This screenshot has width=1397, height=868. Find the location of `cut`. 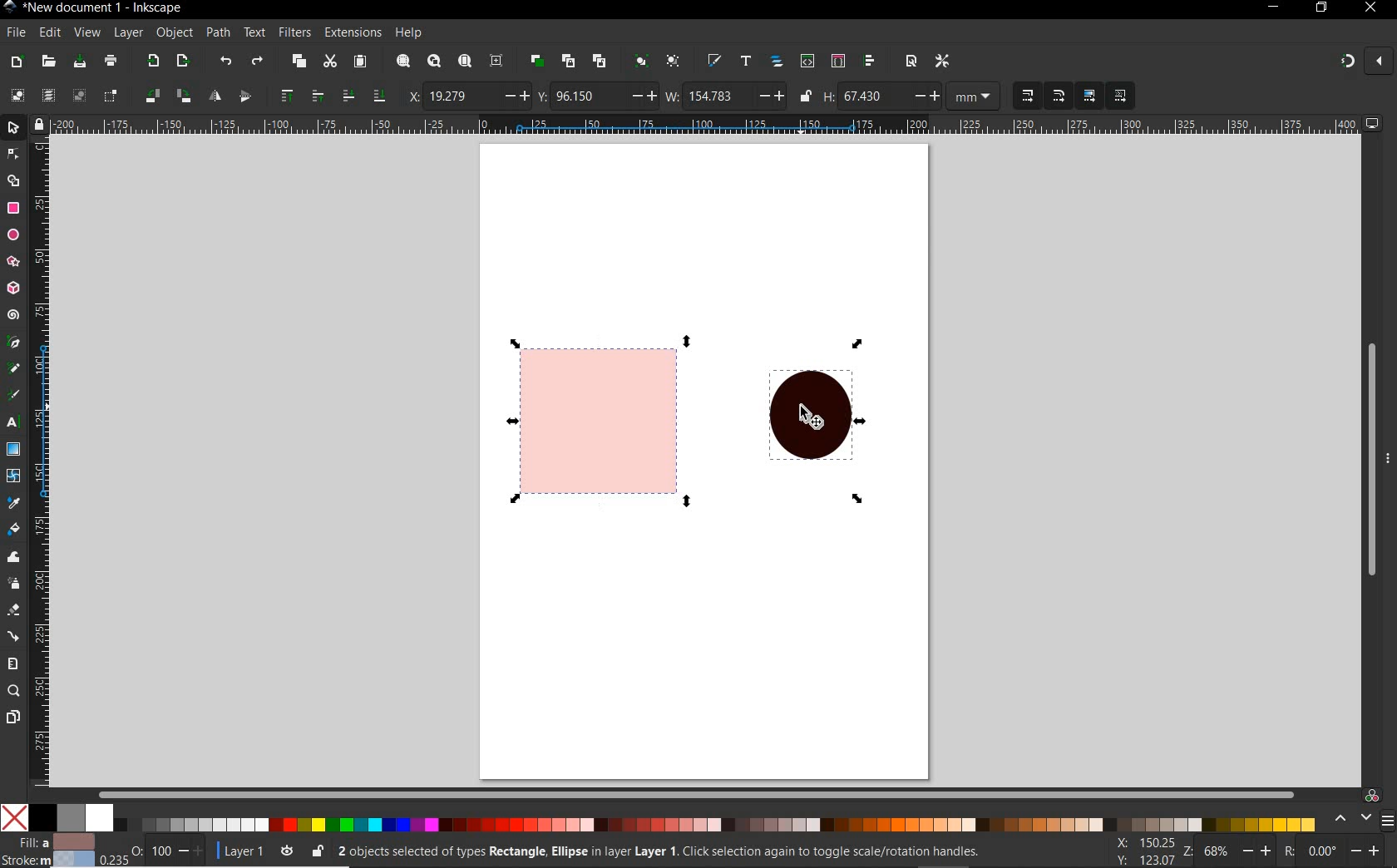

cut is located at coordinates (330, 61).